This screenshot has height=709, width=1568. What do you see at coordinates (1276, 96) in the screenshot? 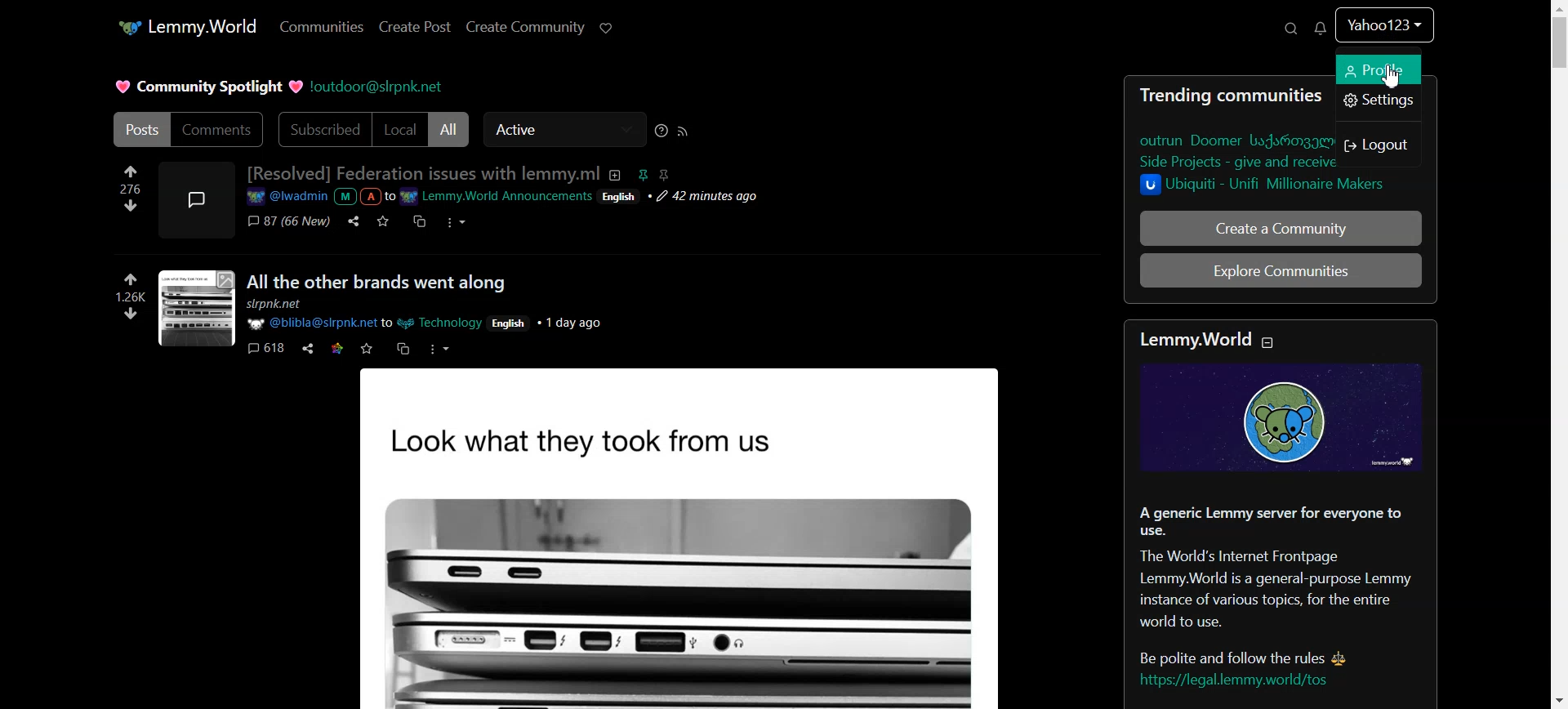
I see `communities` at bounding box center [1276, 96].